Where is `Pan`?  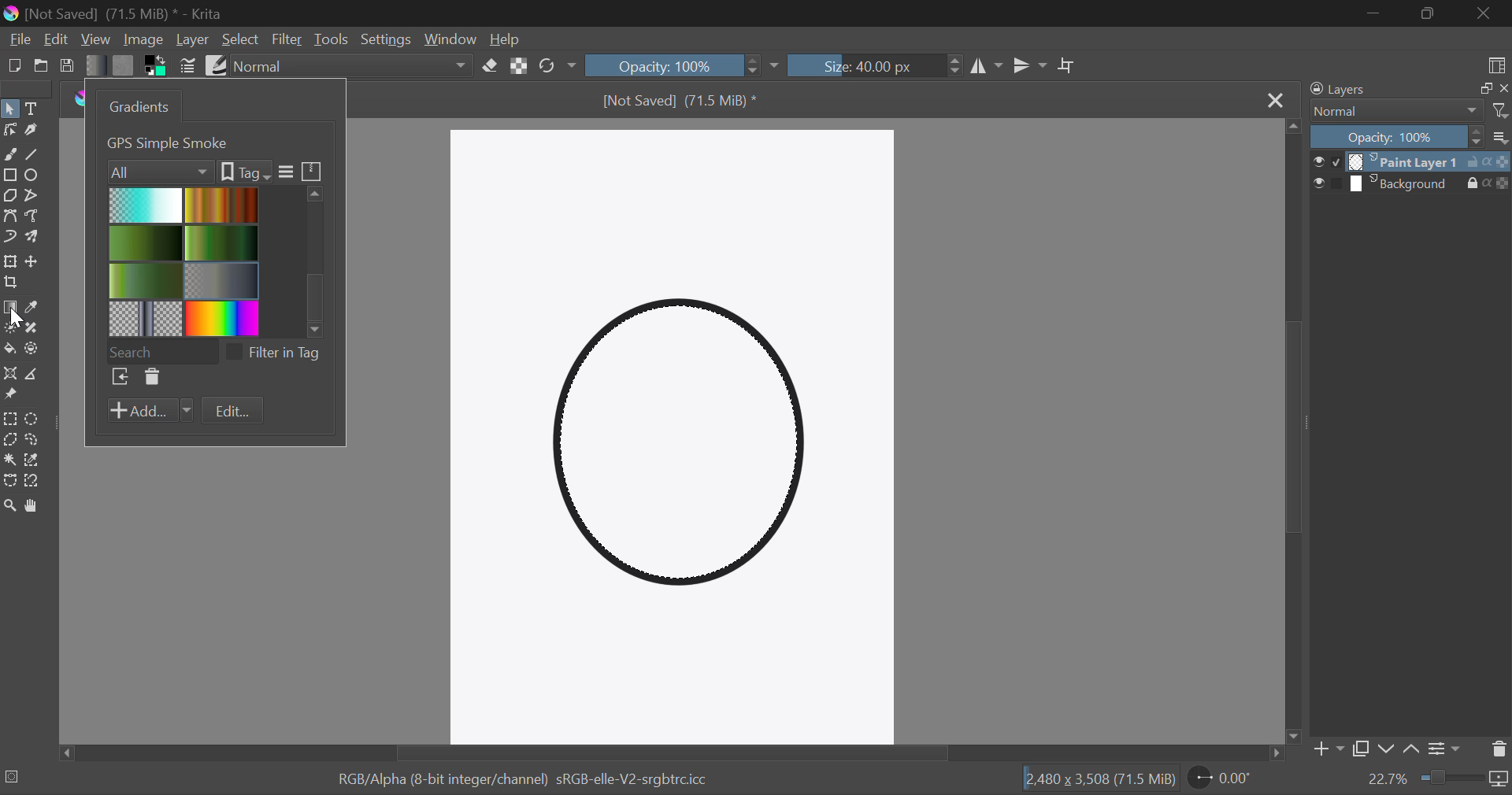
Pan is located at coordinates (35, 507).